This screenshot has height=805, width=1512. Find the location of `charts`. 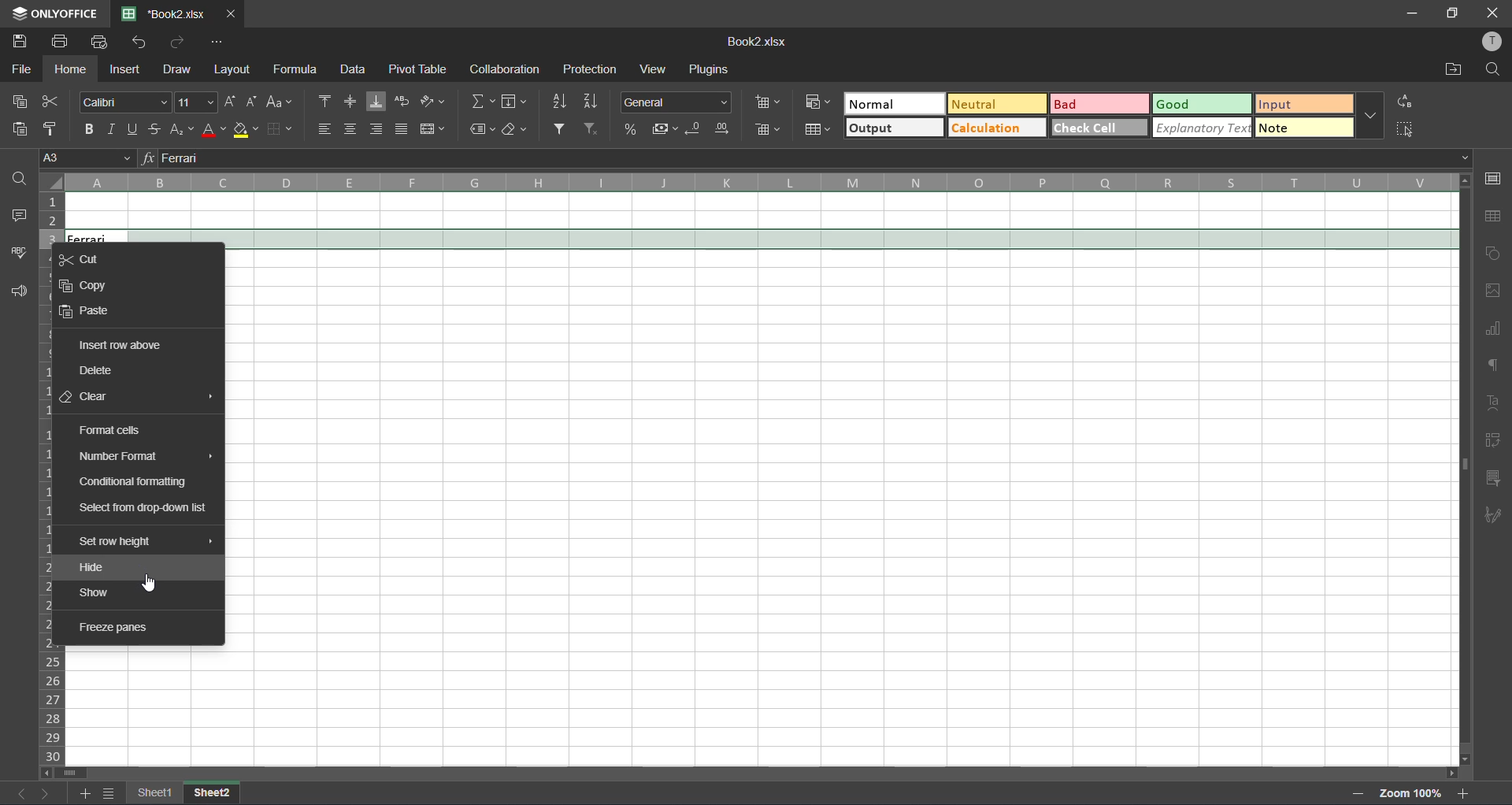

charts is located at coordinates (1493, 329).